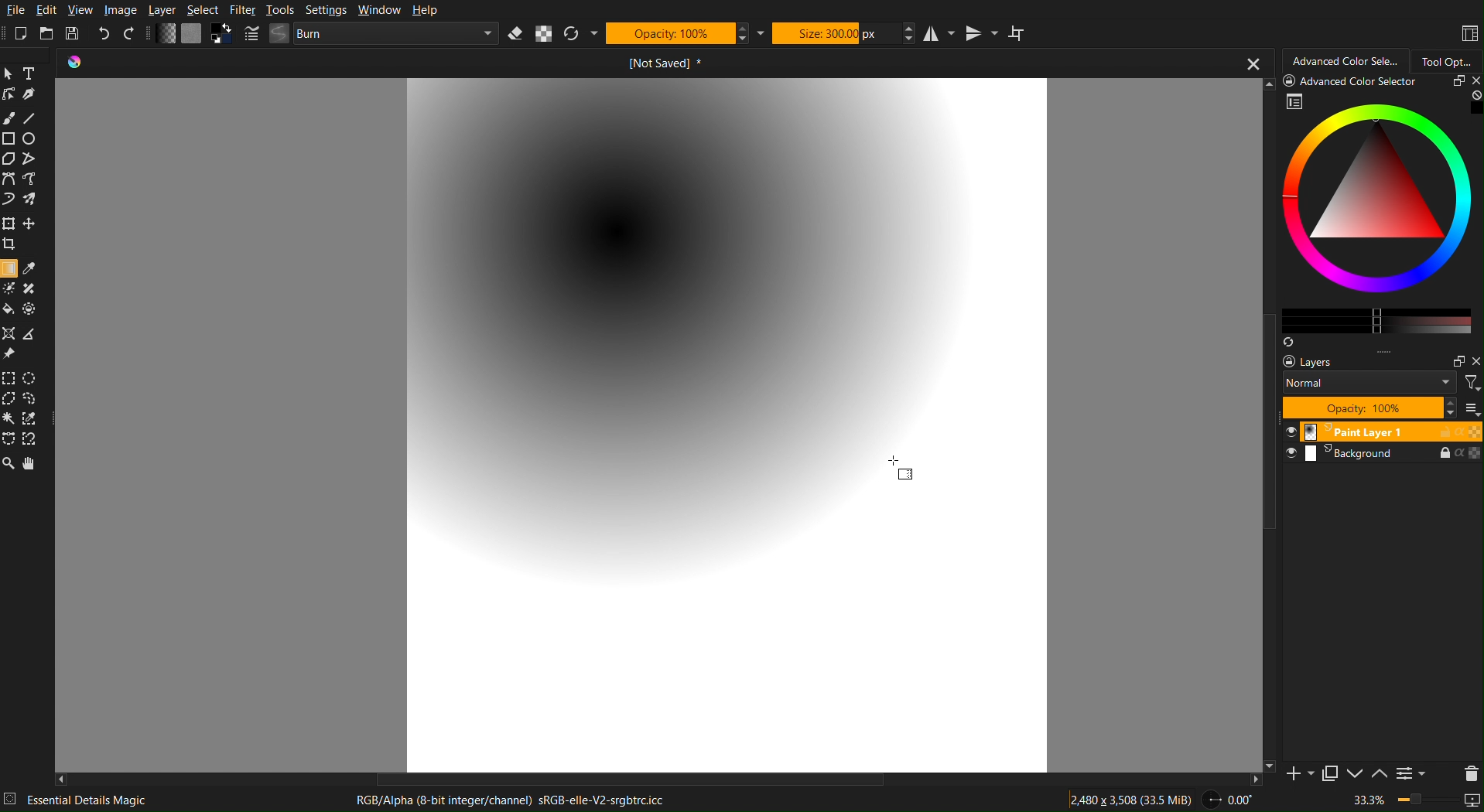 This screenshot has height=812, width=1484. I want to click on Layer 1, so click(1381, 432).